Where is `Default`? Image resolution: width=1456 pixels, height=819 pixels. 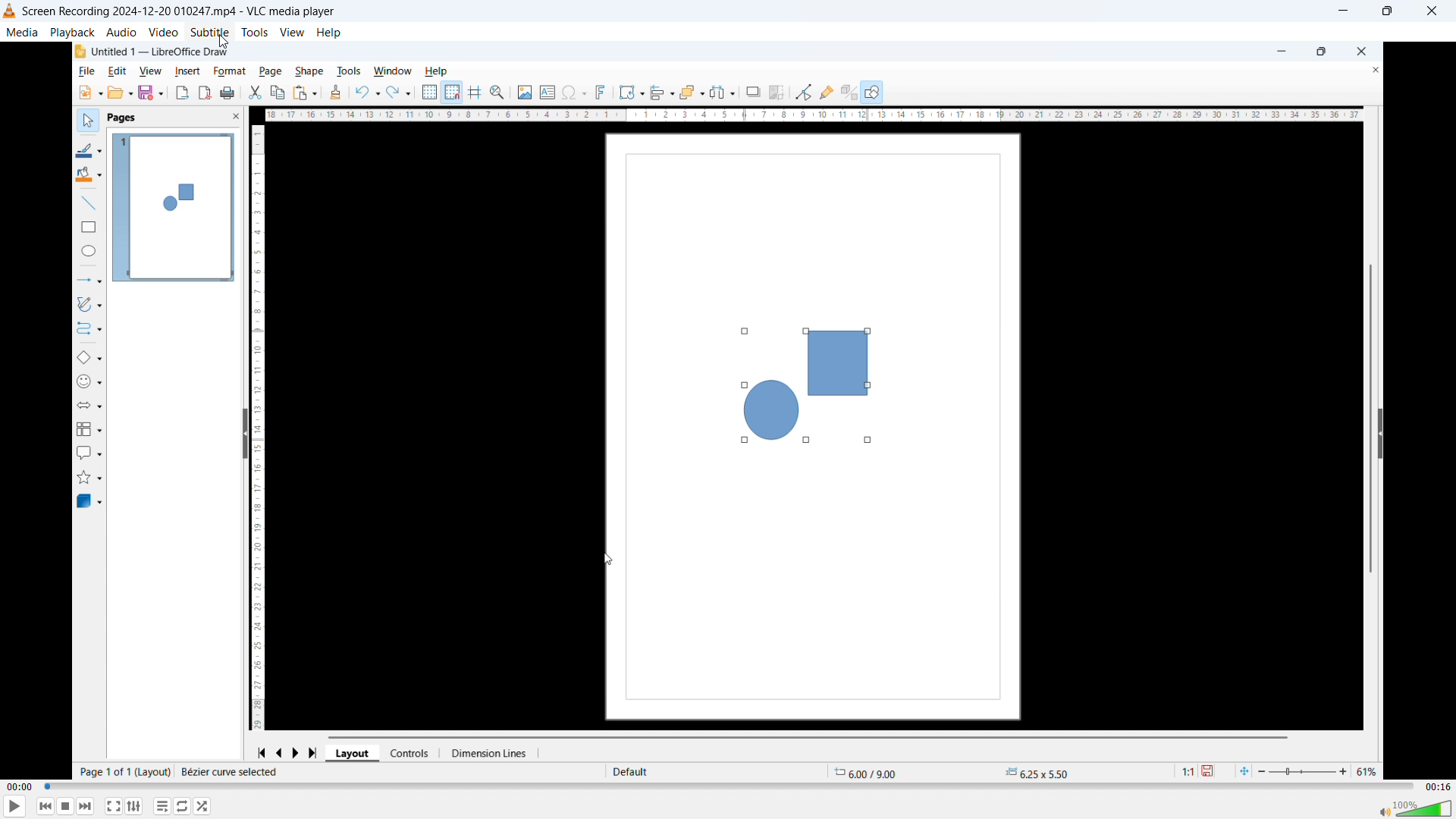
Default is located at coordinates (632, 771).